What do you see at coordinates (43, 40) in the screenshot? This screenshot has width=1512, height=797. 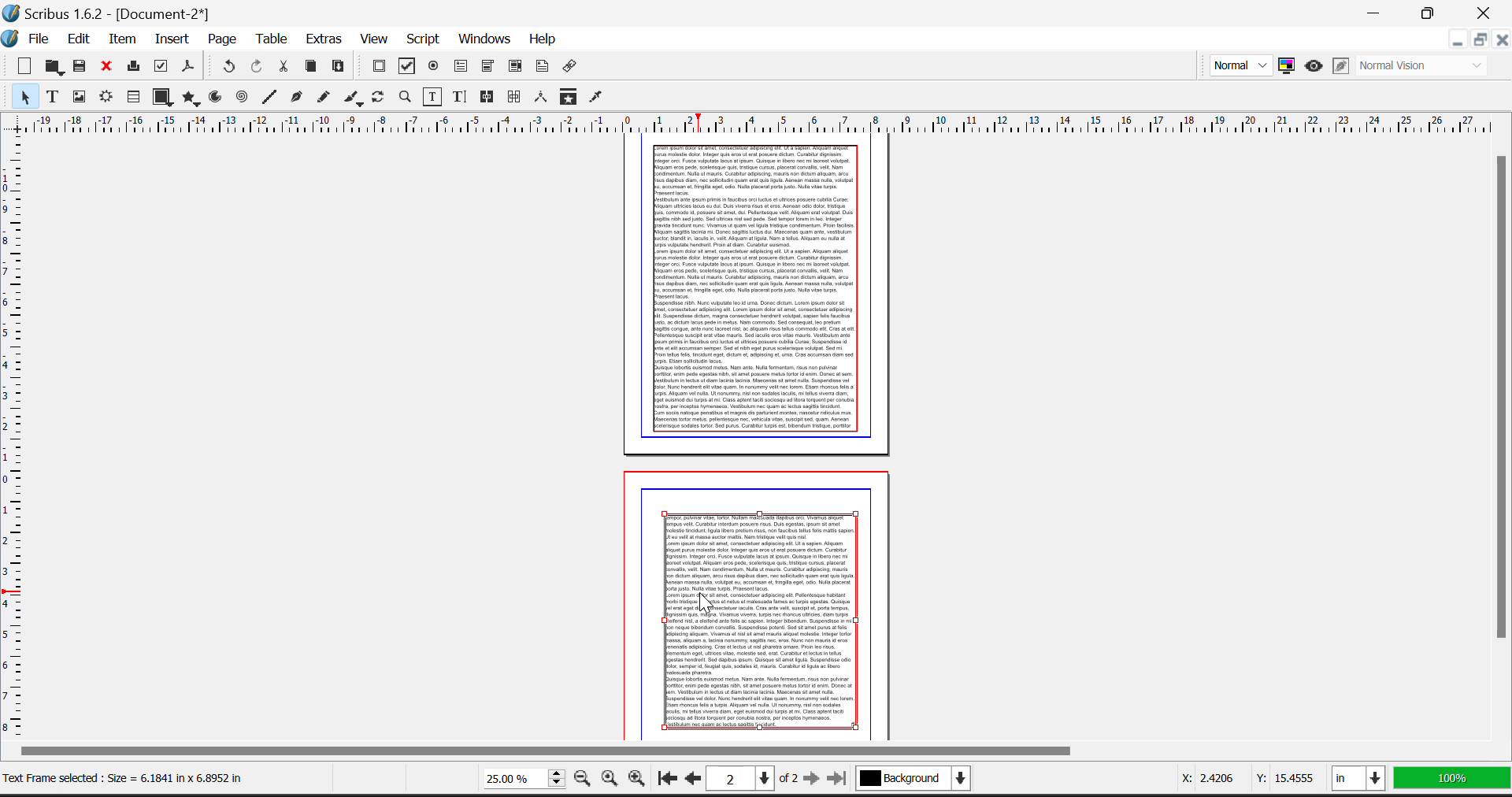 I see `File` at bounding box center [43, 40].